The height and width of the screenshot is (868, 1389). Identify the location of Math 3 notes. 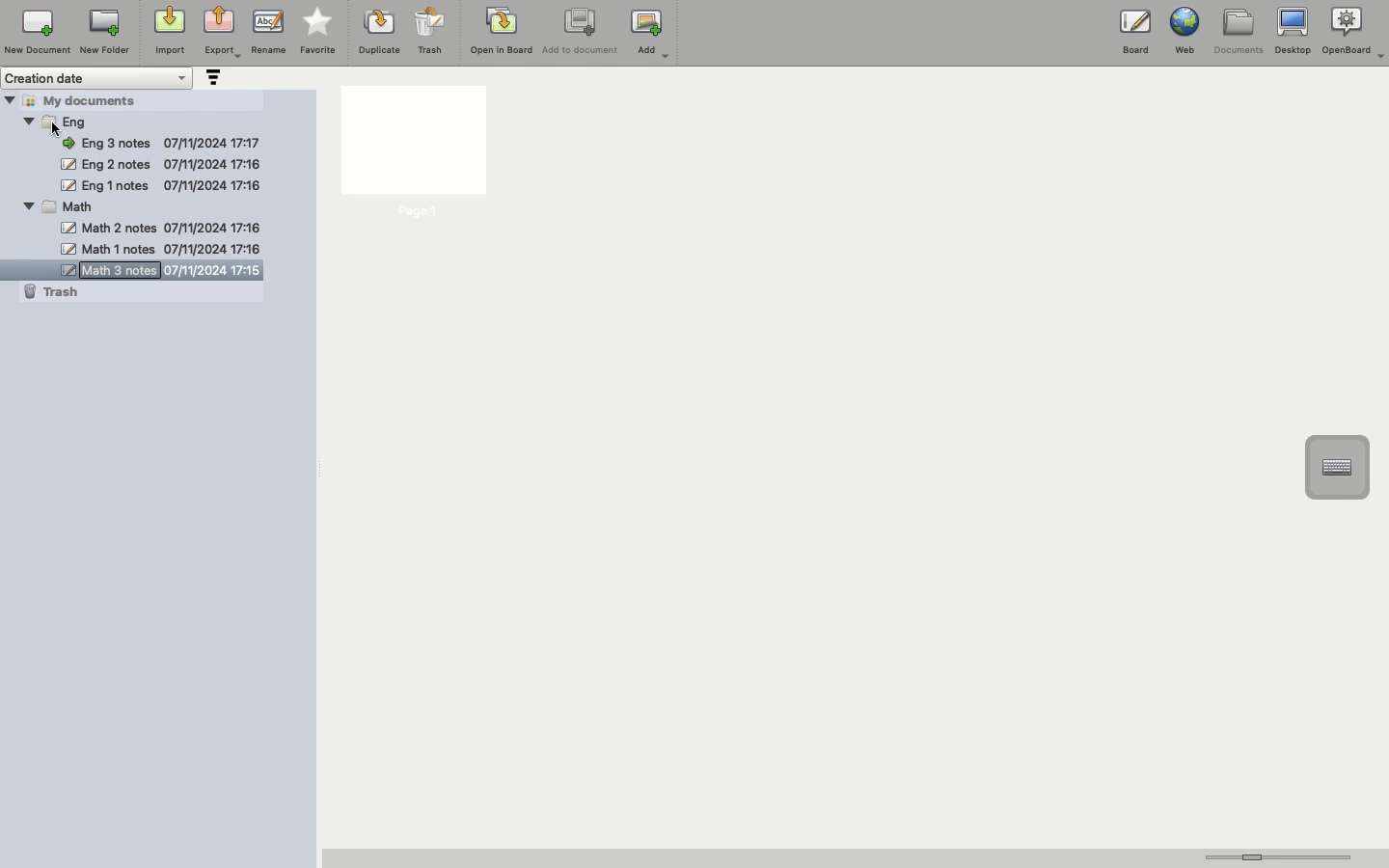
(140, 272).